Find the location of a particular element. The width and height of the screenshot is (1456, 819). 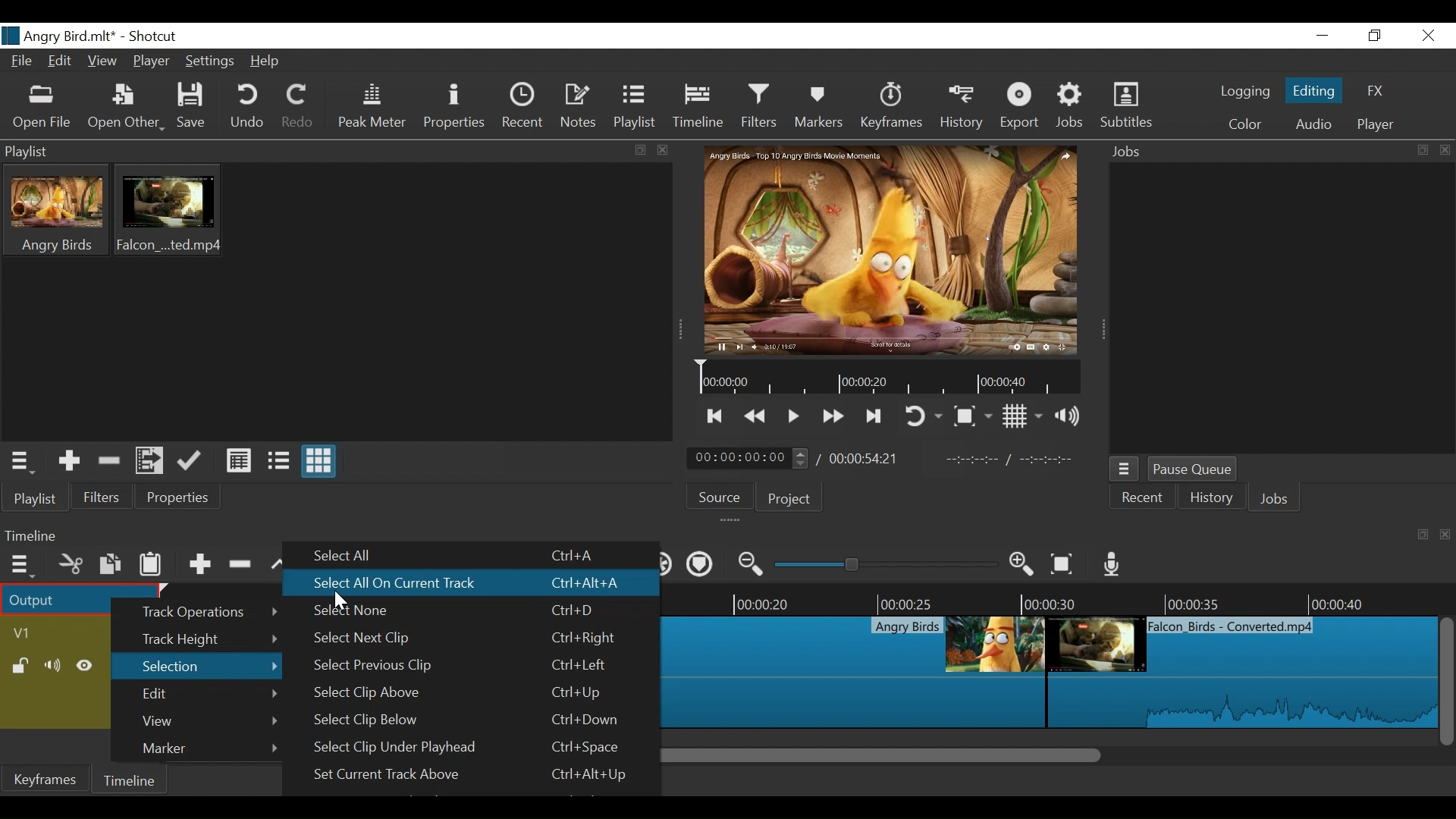

Help is located at coordinates (265, 62).